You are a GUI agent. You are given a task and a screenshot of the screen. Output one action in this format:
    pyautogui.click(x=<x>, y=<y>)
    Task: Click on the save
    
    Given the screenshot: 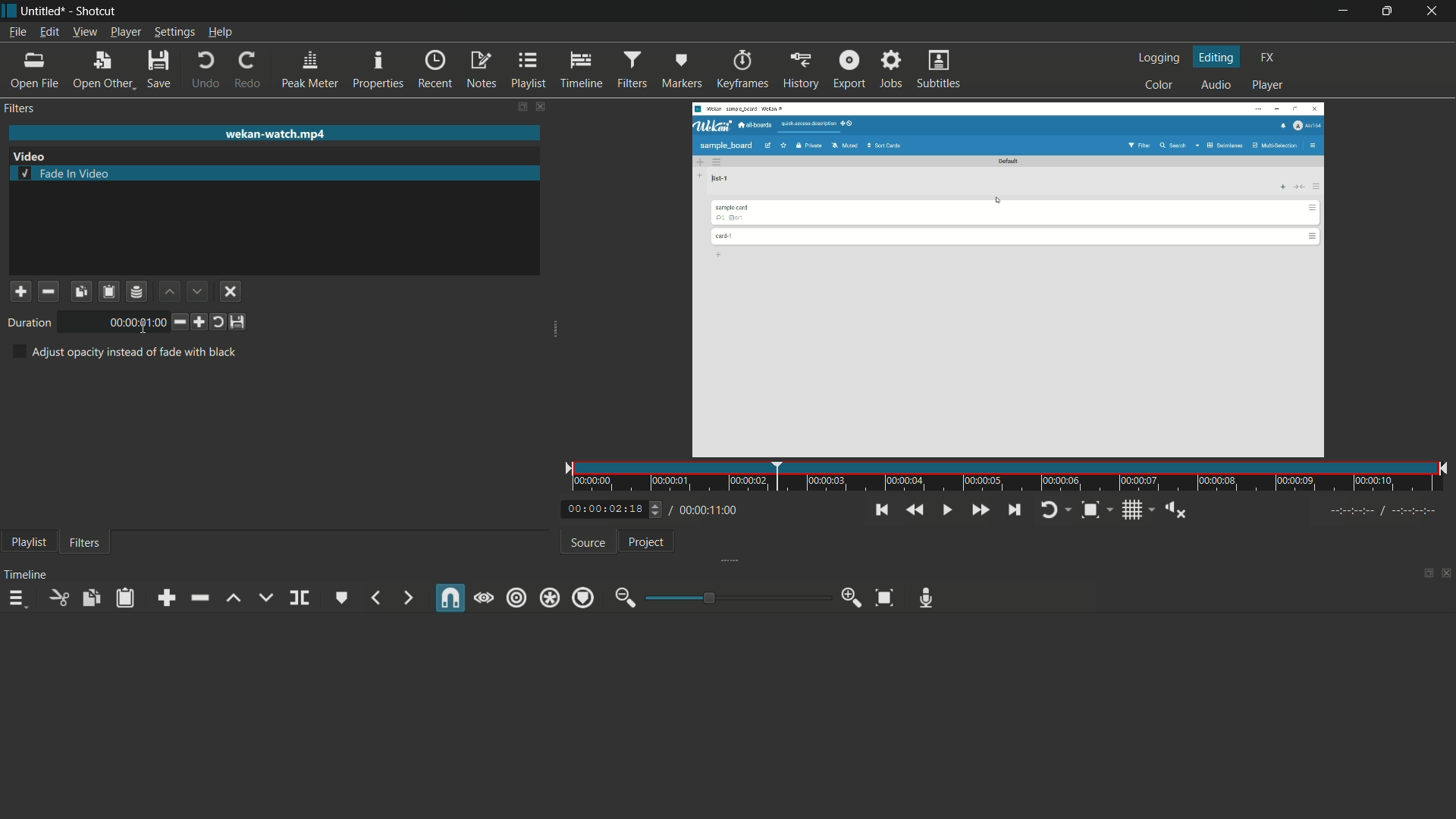 What is the action you would take?
    pyautogui.click(x=158, y=68)
    